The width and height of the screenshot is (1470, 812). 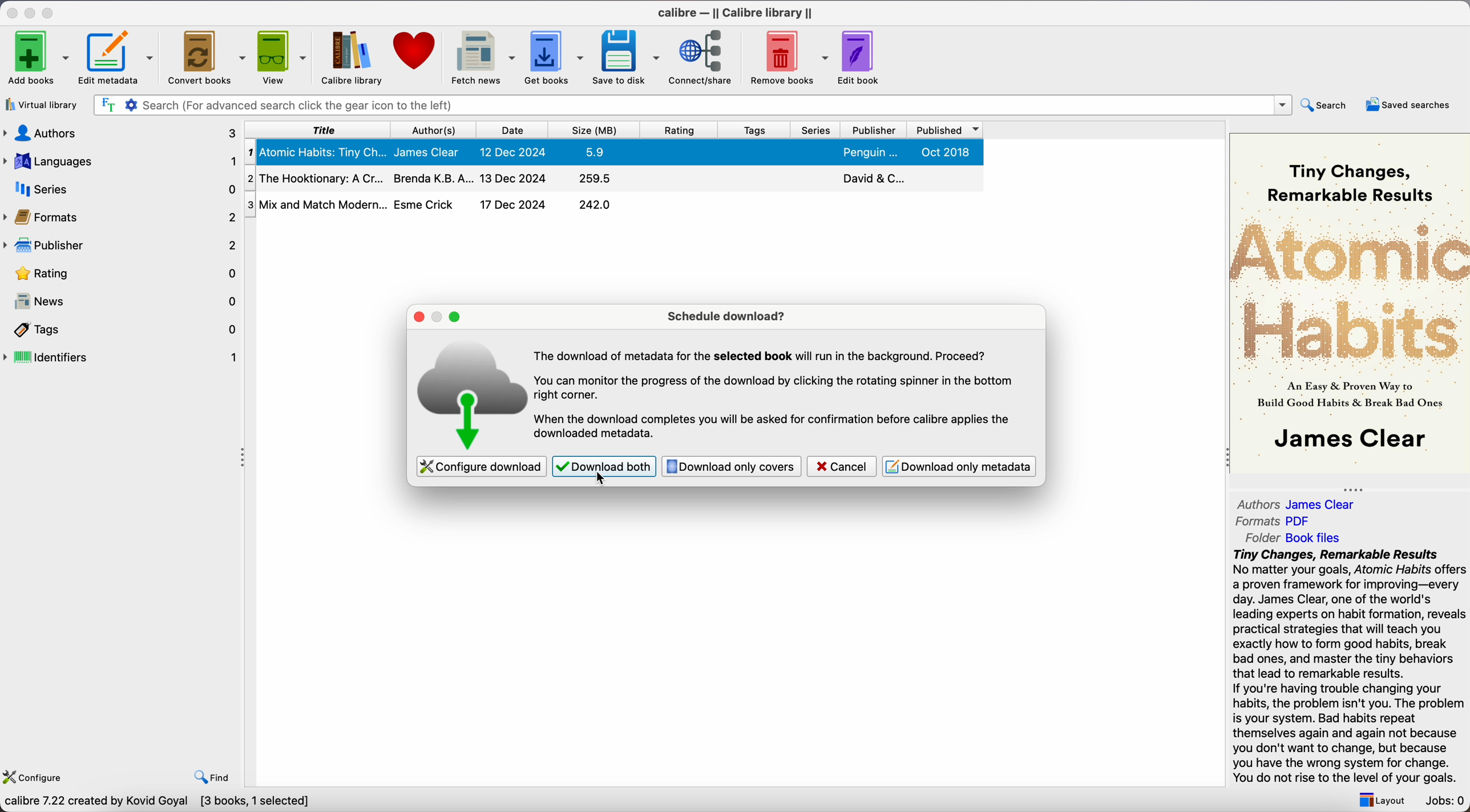 What do you see at coordinates (512, 130) in the screenshot?
I see `date` at bounding box center [512, 130].